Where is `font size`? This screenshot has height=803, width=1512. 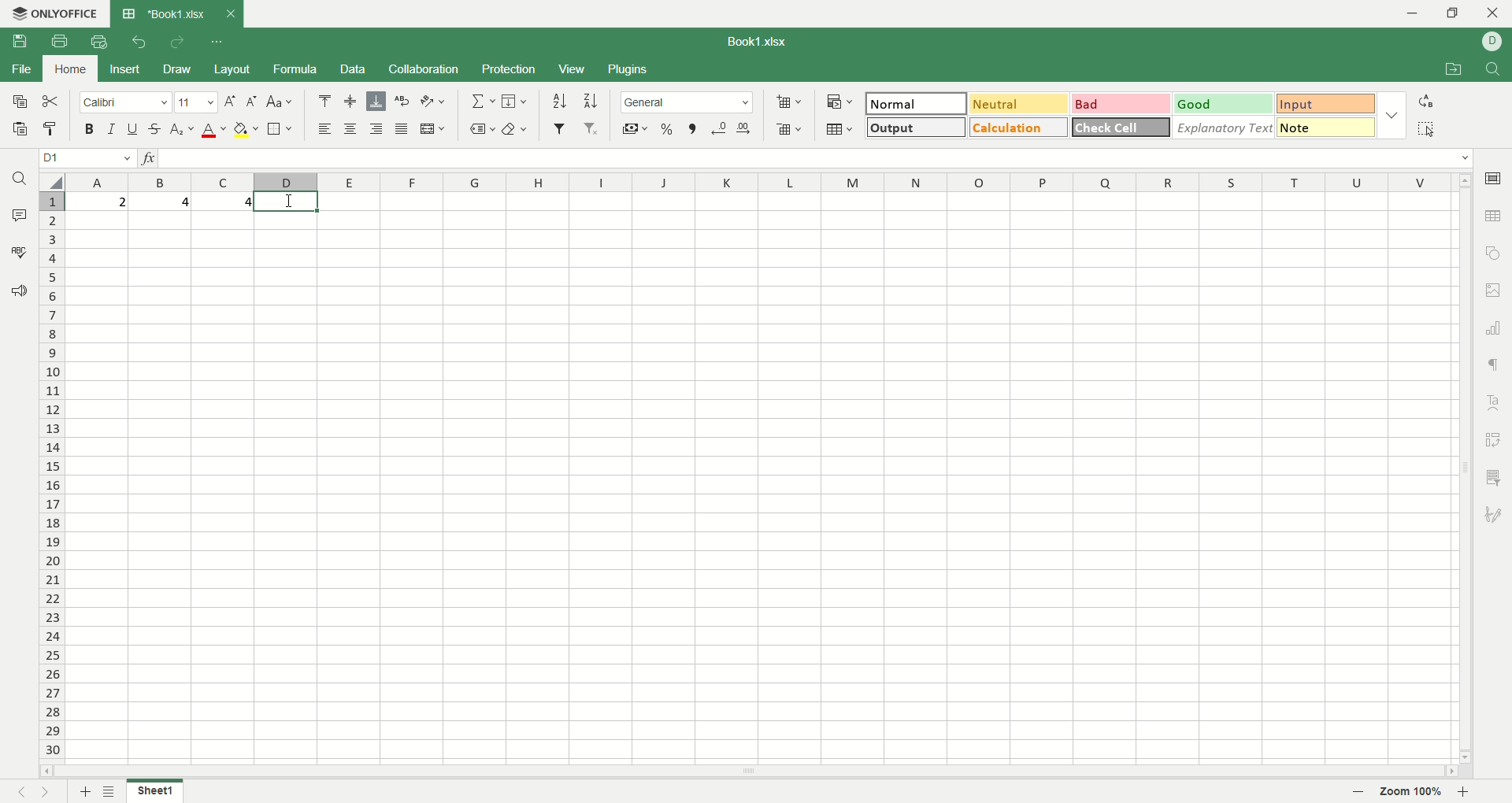
font size is located at coordinates (195, 102).